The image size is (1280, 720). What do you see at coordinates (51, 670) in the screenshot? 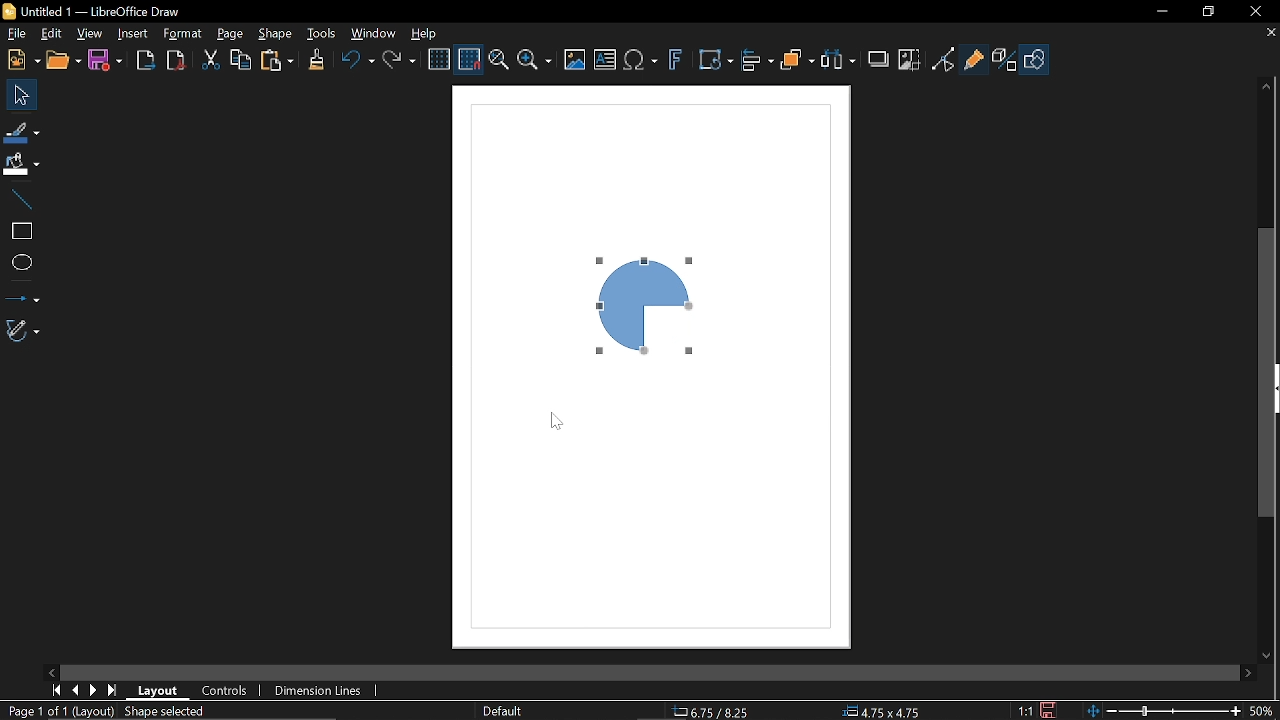
I see `Move left` at bounding box center [51, 670].